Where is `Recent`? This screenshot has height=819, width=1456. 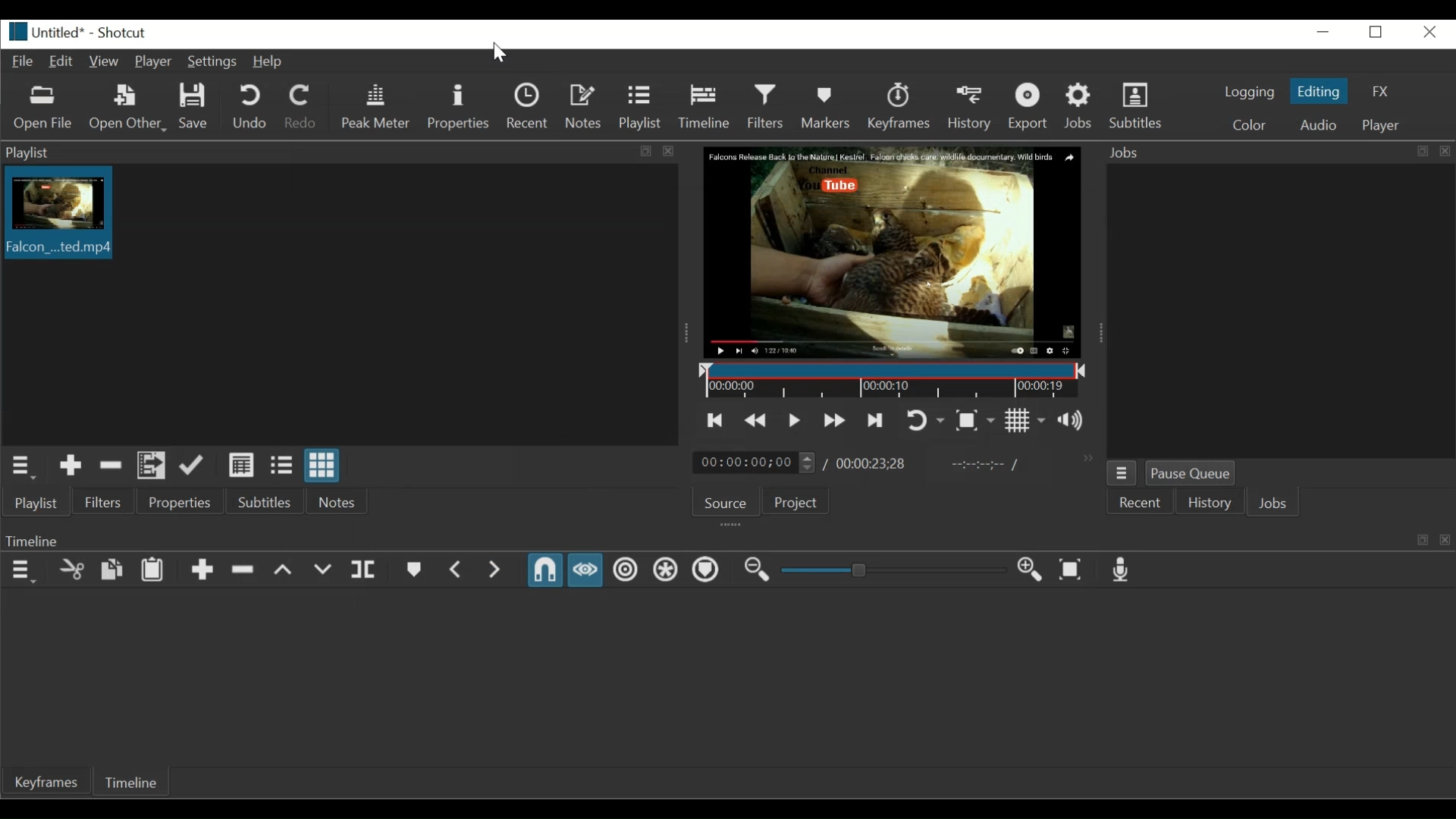
Recent is located at coordinates (1138, 503).